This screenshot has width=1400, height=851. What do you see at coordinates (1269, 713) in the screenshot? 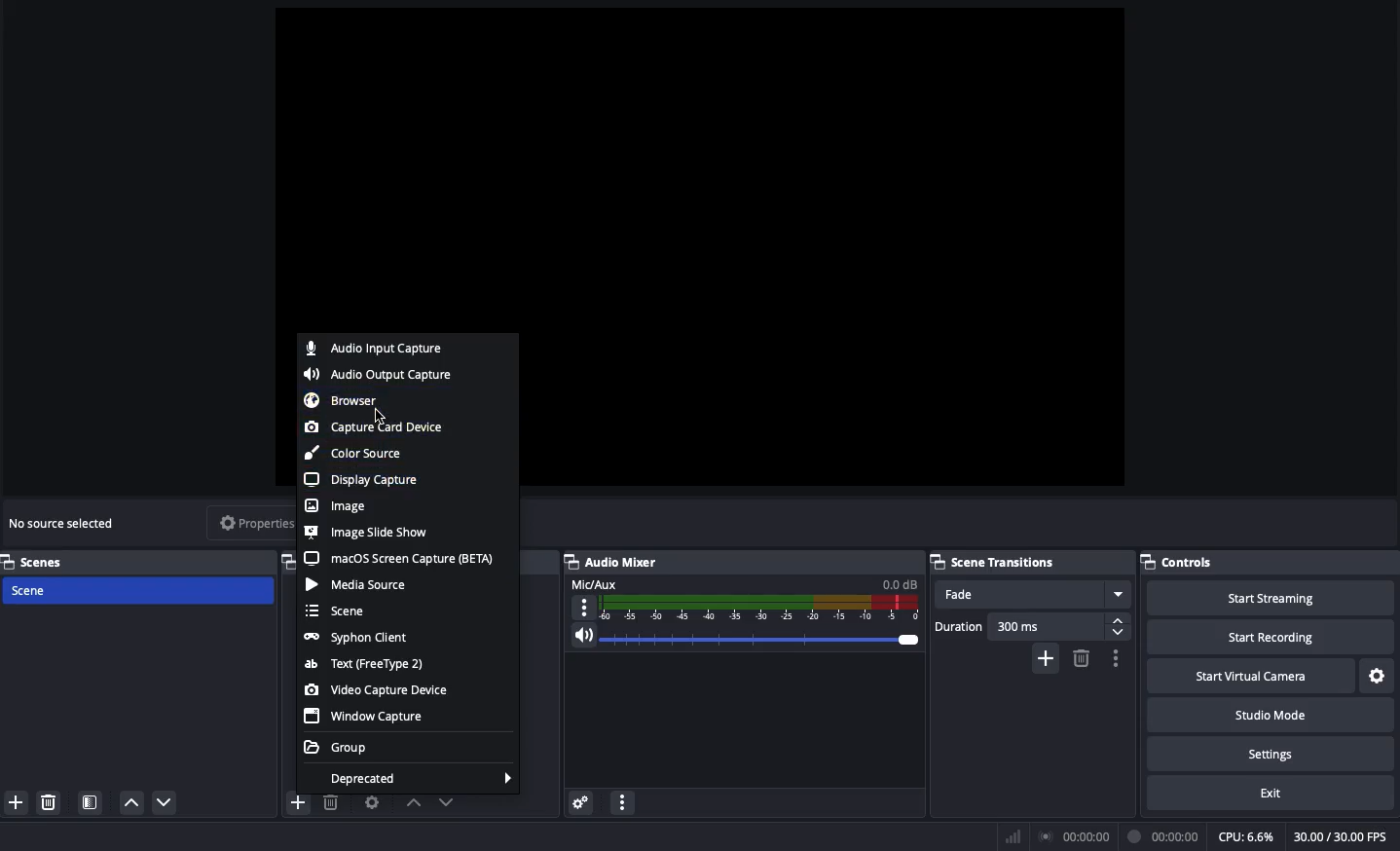
I see `Studio mode` at bounding box center [1269, 713].